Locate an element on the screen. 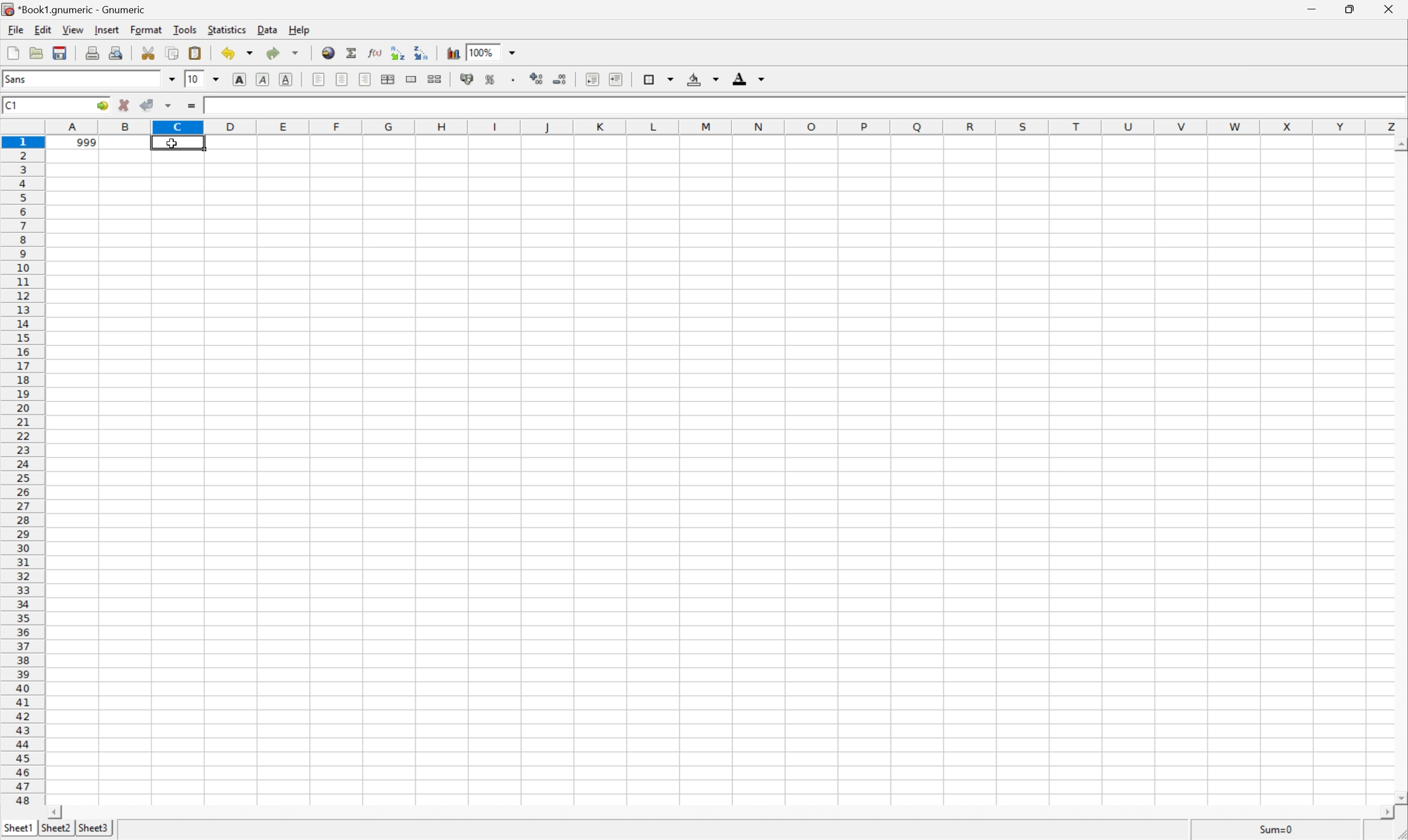 This screenshot has width=1408, height=840. print preview is located at coordinates (118, 53).